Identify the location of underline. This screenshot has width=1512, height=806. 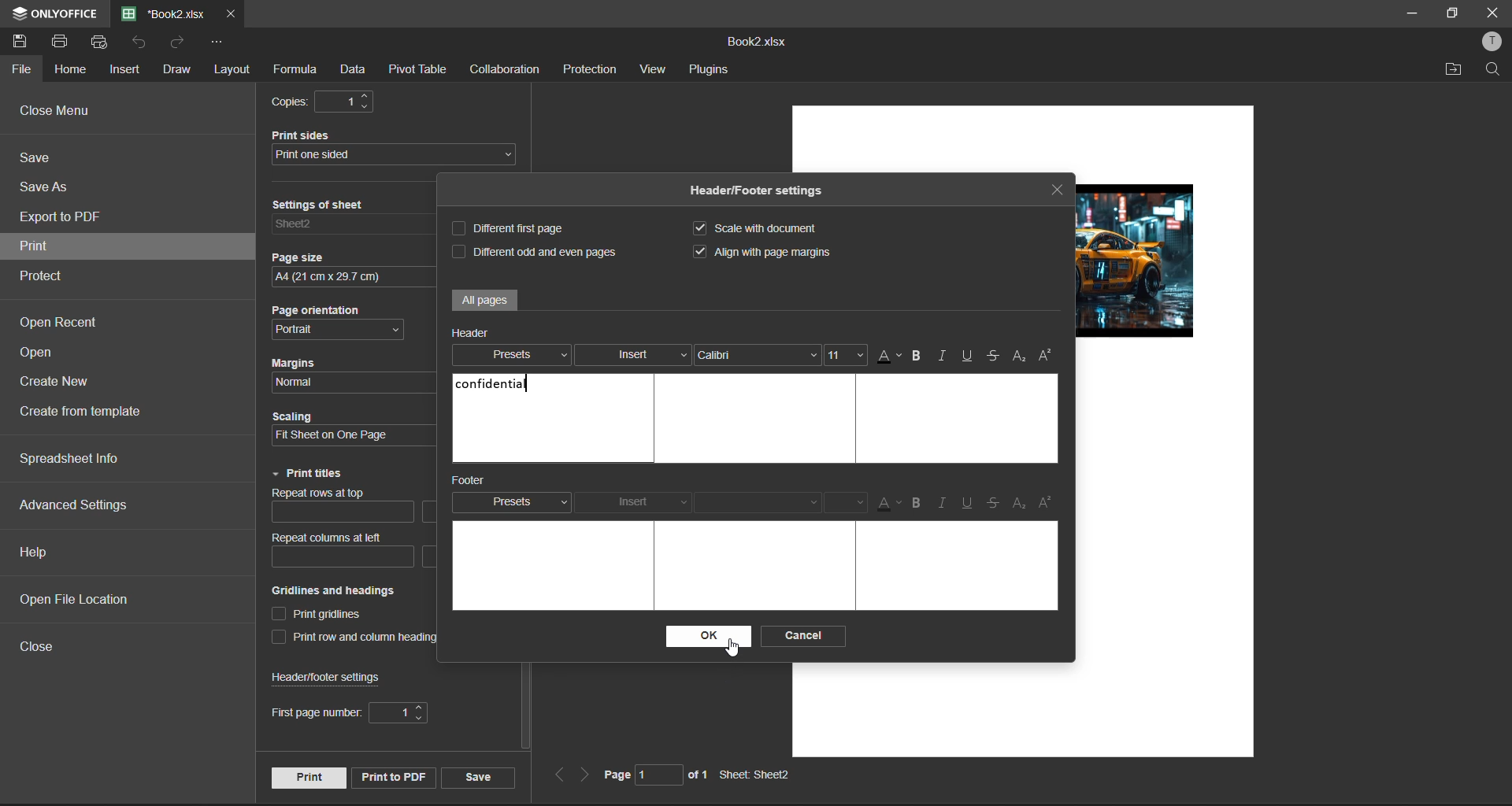
(965, 357).